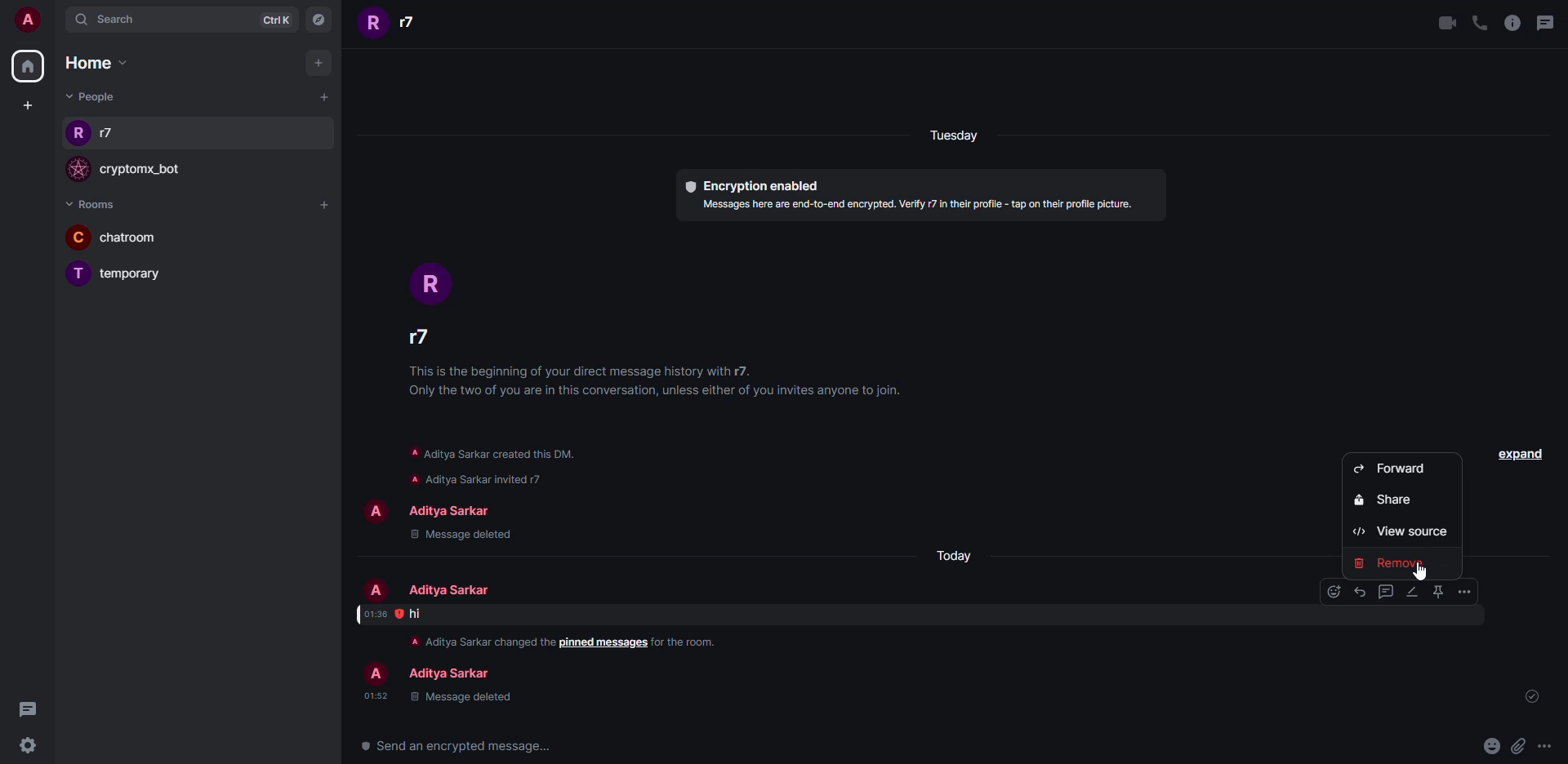 Image resolution: width=1568 pixels, height=764 pixels. I want to click on time, so click(375, 614).